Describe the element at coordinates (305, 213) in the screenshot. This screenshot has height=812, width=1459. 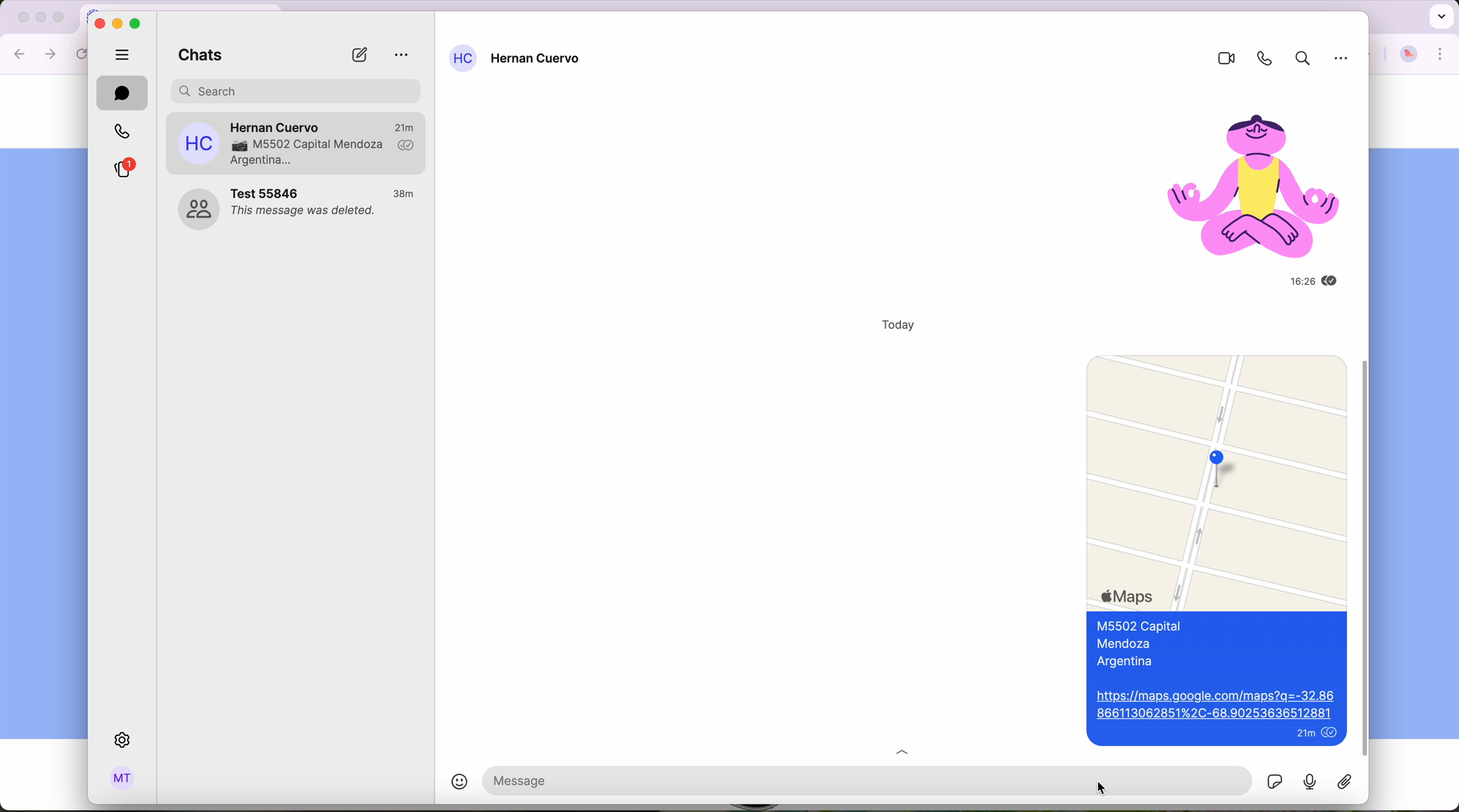
I see `This message was deleted.` at that location.